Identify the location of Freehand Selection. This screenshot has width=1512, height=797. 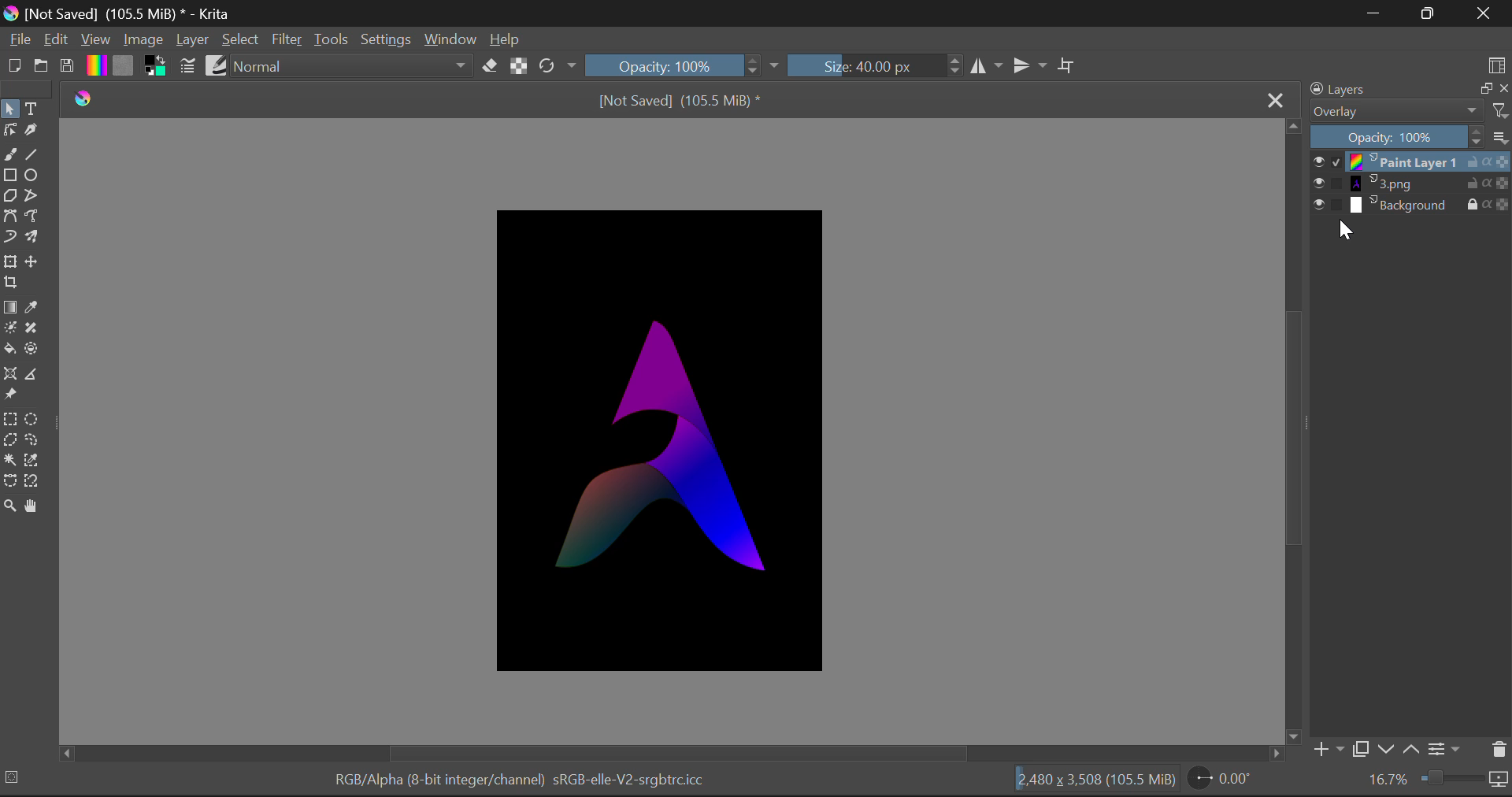
(32, 439).